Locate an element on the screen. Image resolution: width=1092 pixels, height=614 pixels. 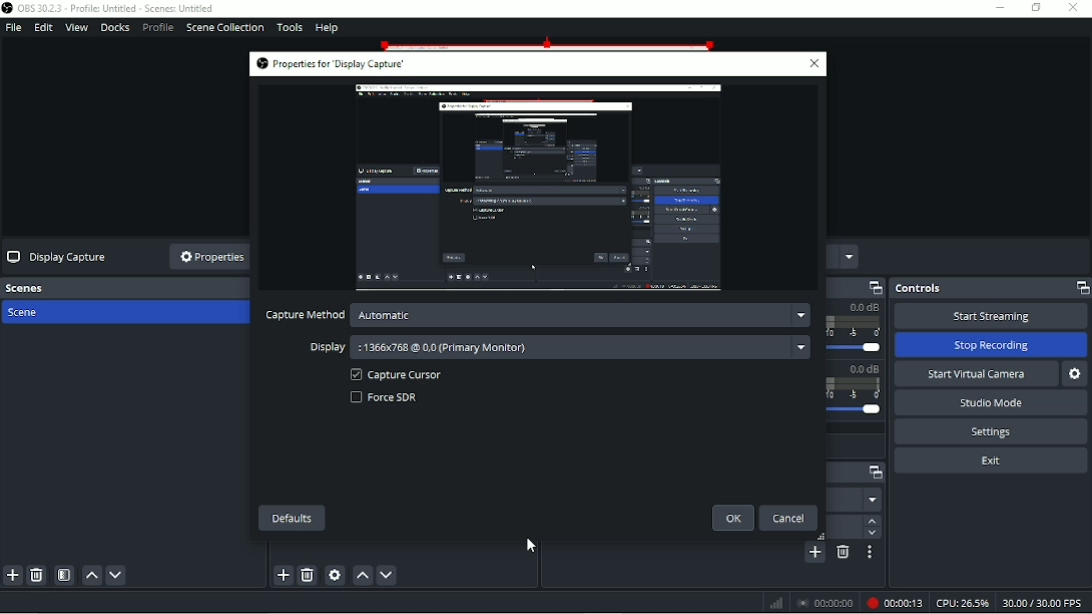
Tools is located at coordinates (289, 28).